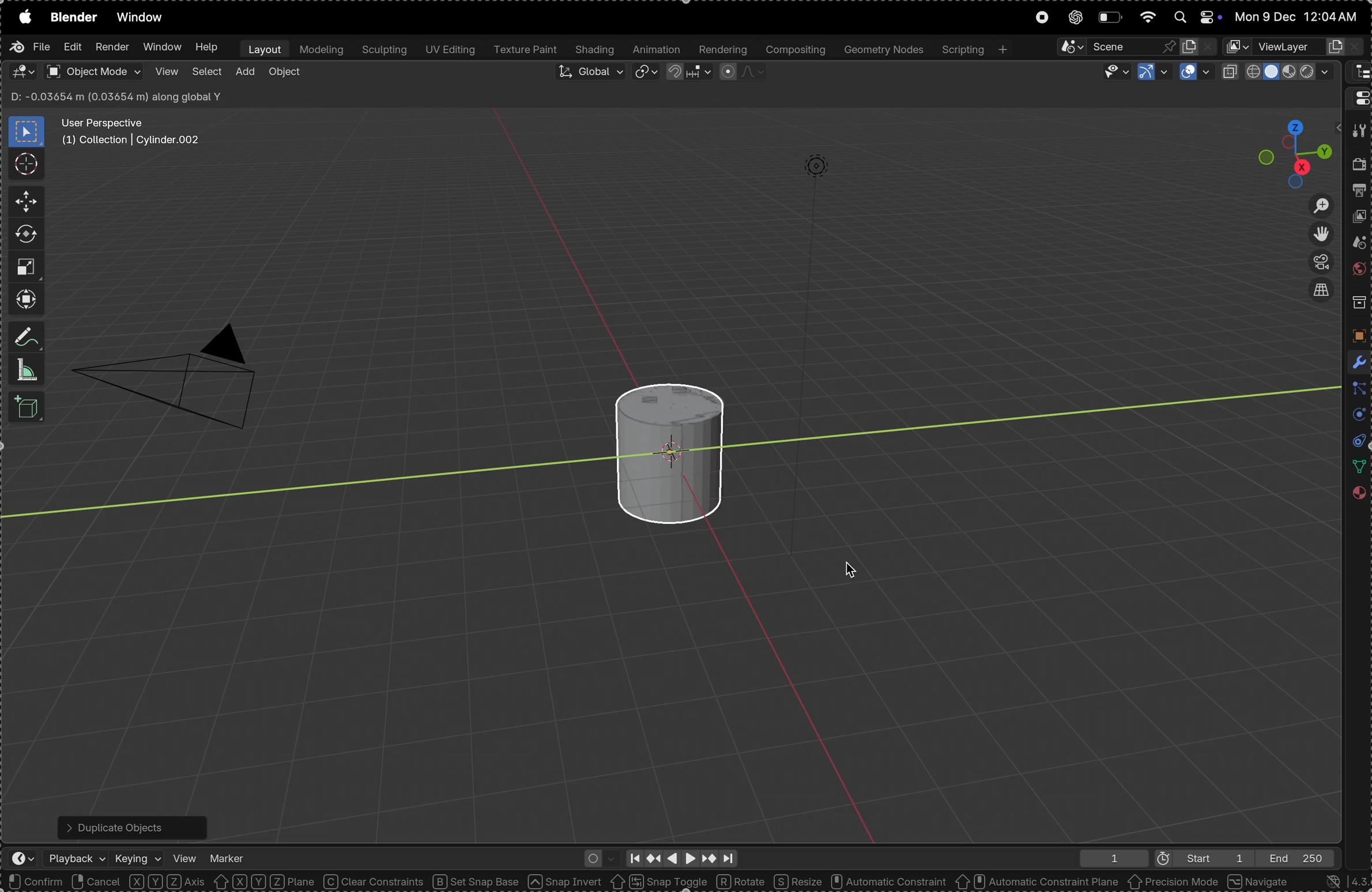 This screenshot has height=892, width=1372. Describe the element at coordinates (1359, 192) in the screenshot. I see `out put` at that location.